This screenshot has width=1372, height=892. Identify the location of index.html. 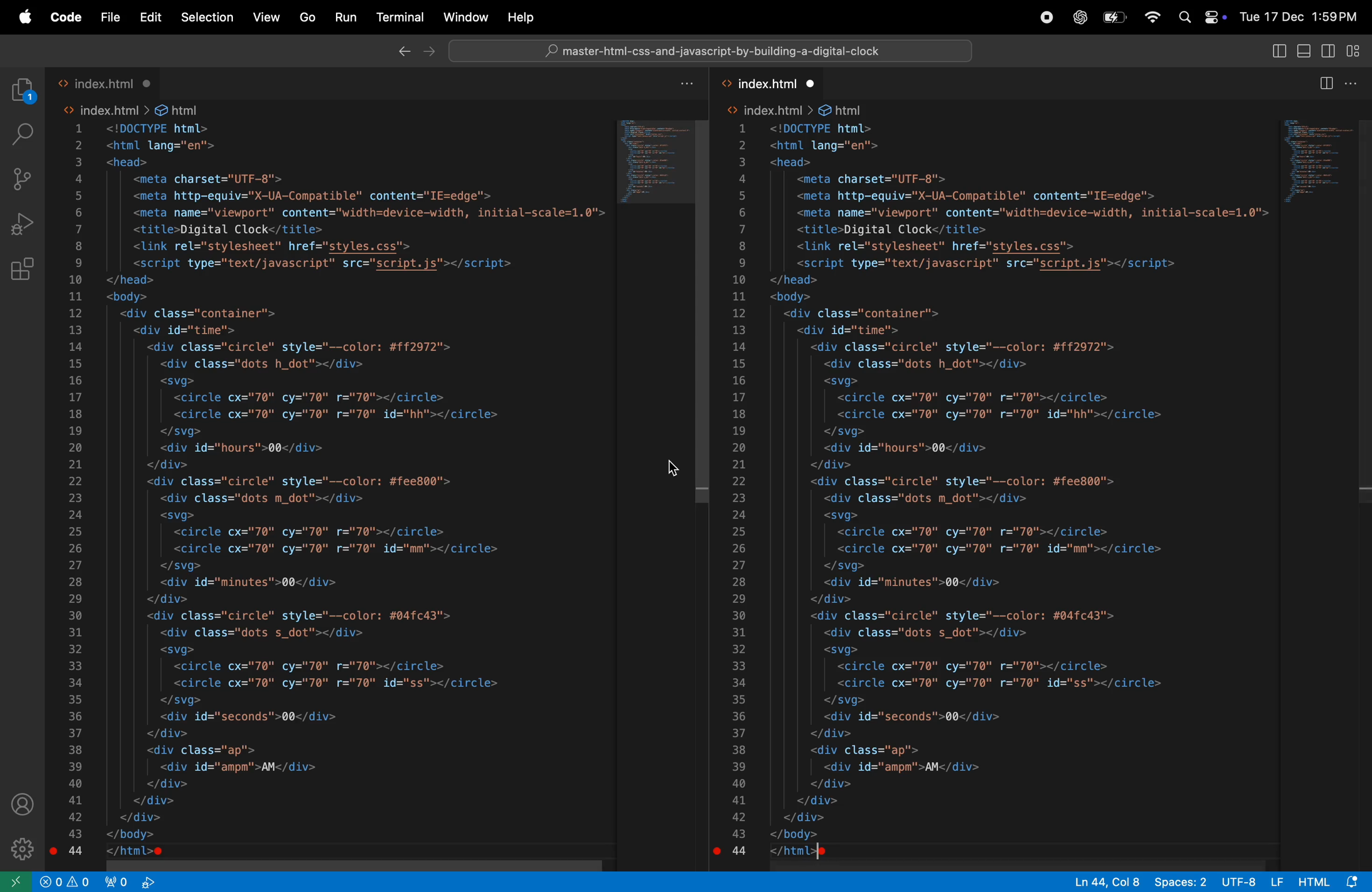
(777, 85).